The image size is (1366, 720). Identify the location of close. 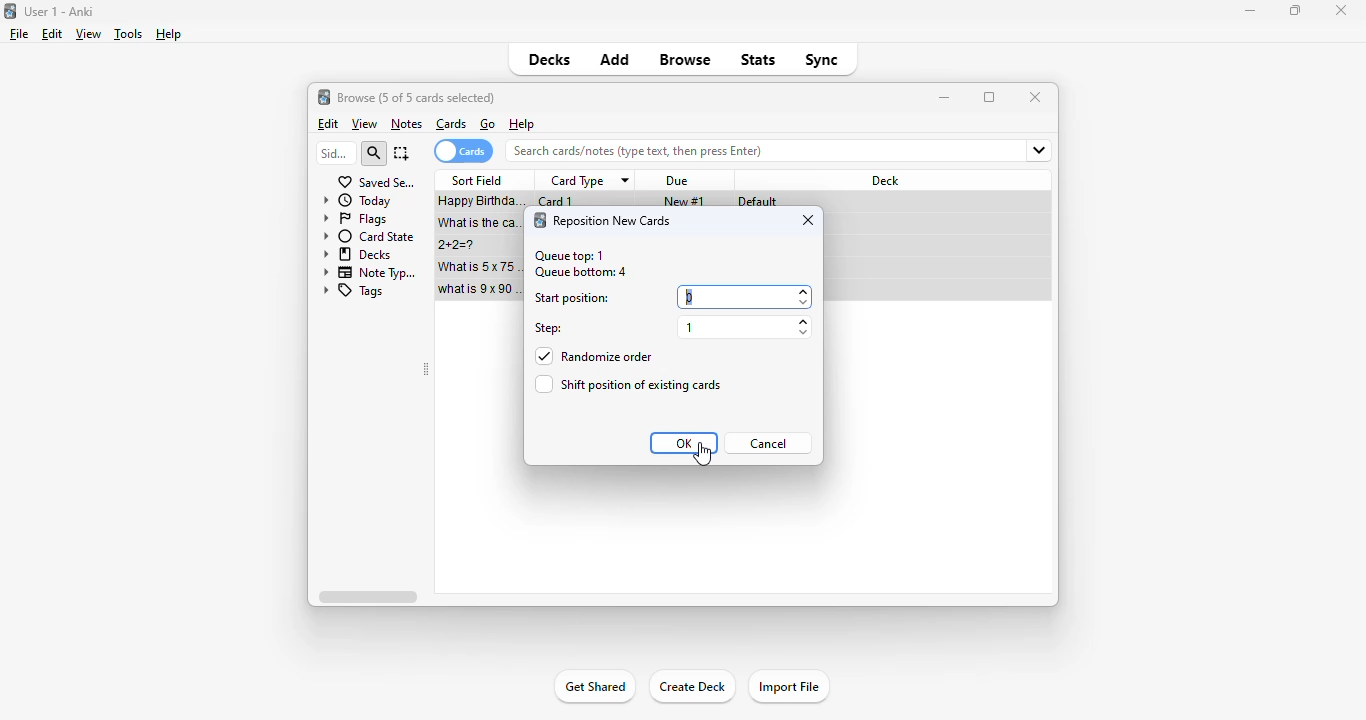
(1036, 96).